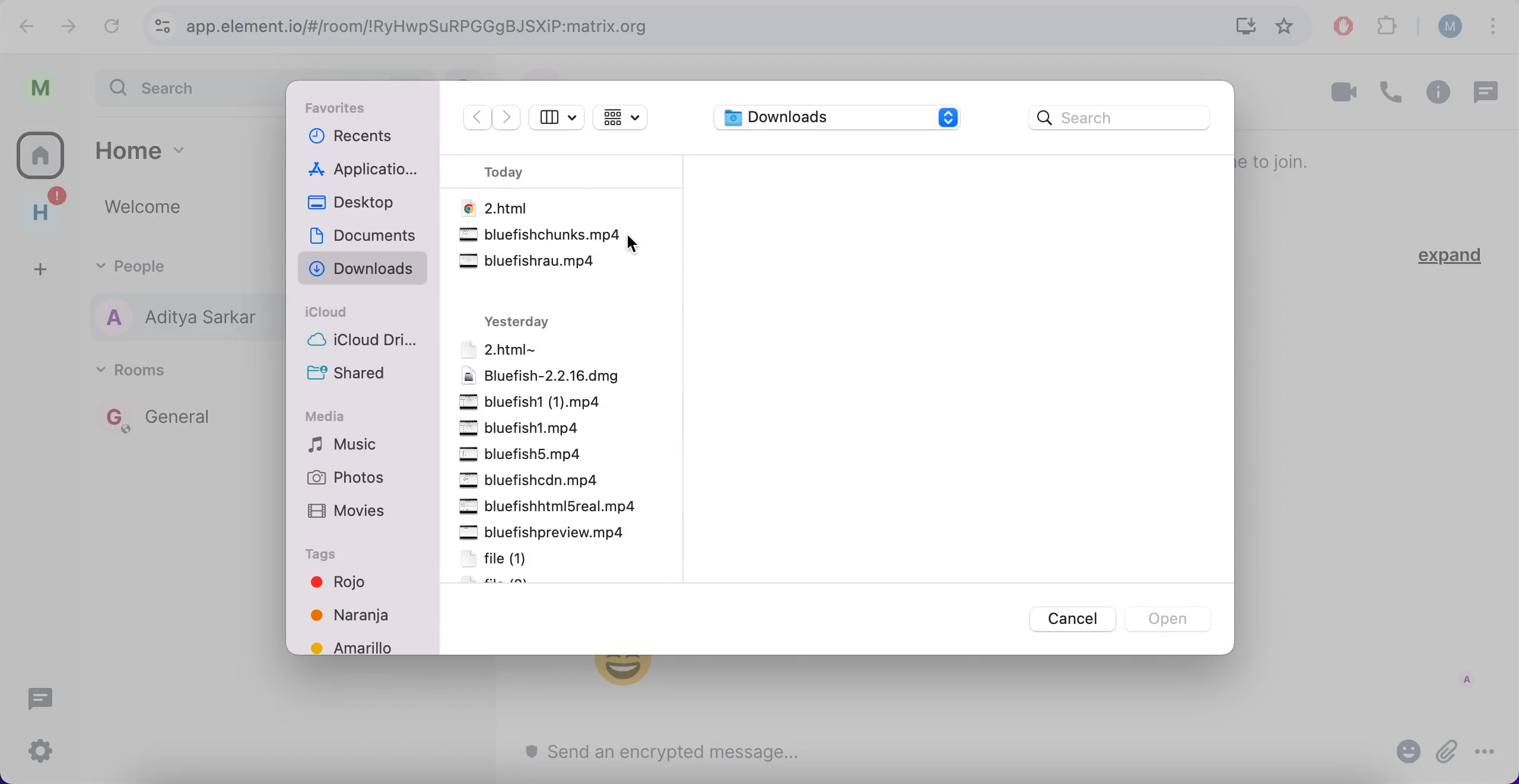  What do you see at coordinates (514, 176) in the screenshot?
I see `today` at bounding box center [514, 176].